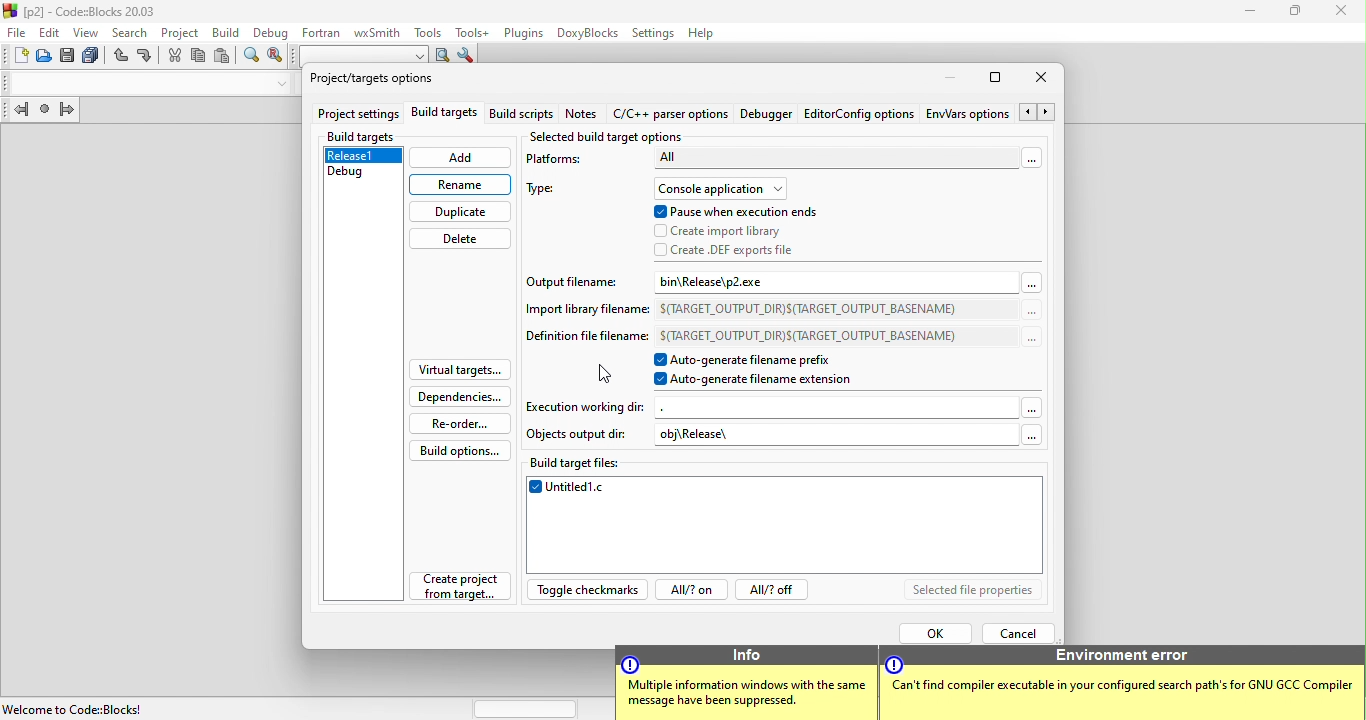 Image resolution: width=1366 pixels, height=720 pixels. What do you see at coordinates (1030, 338) in the screenshot?
I see `more` at bounding box center [1030, 338].